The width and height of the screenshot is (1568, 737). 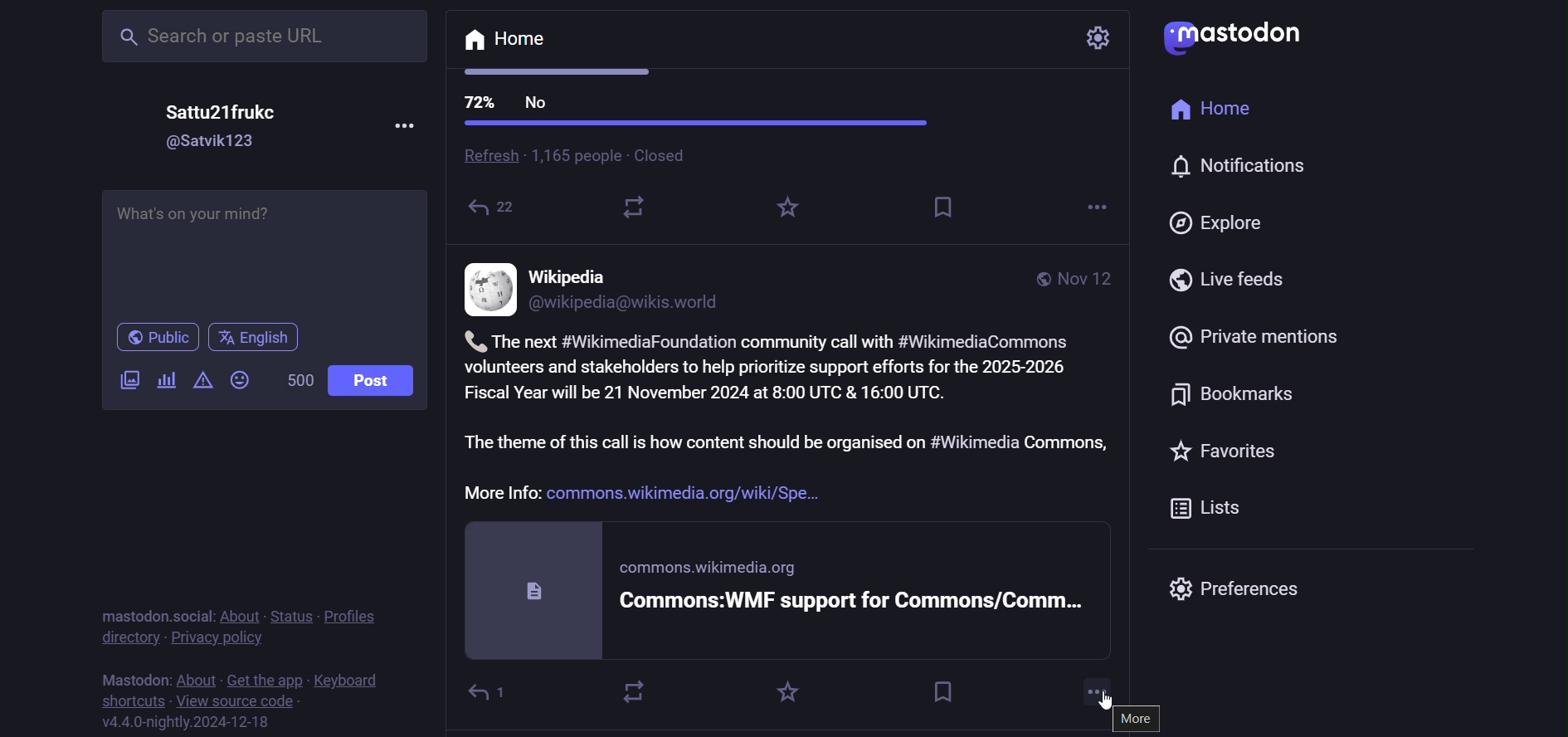 I want to click on refresh, so click(x=487, y=158).